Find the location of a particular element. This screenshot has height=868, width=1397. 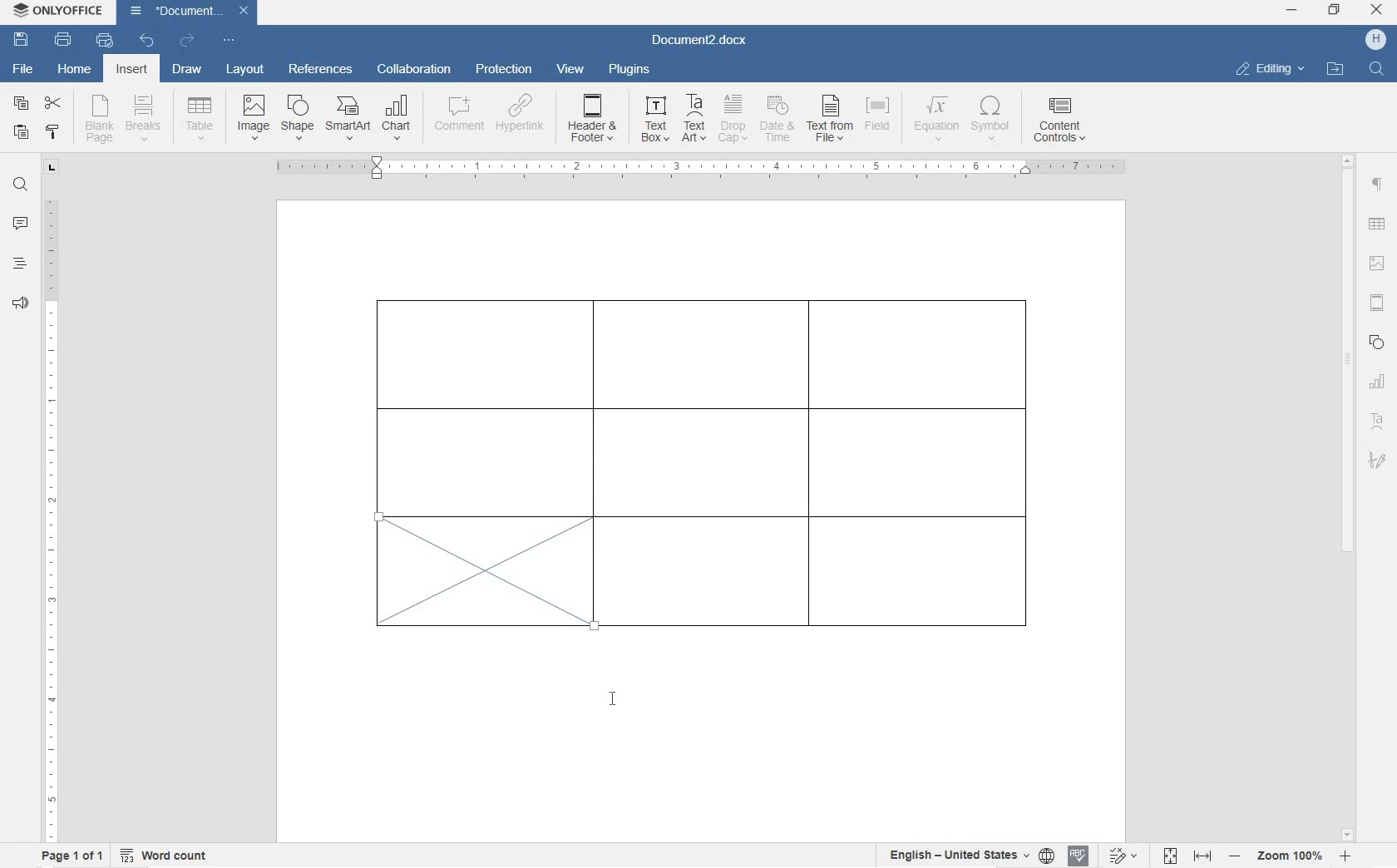

HYPERLINK is located at coordinates (521, 119).